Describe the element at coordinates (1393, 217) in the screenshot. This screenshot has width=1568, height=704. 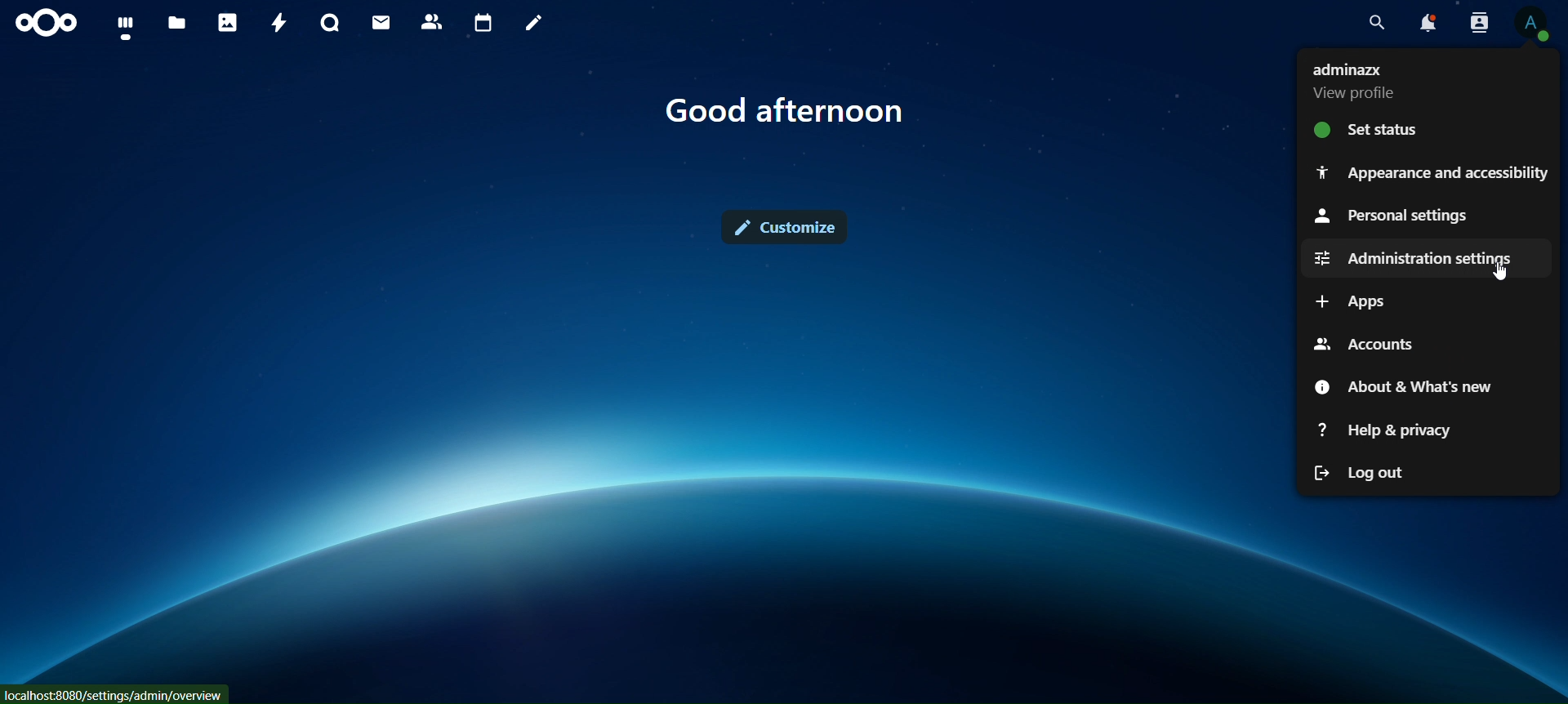
I see `personal settings` at that location.